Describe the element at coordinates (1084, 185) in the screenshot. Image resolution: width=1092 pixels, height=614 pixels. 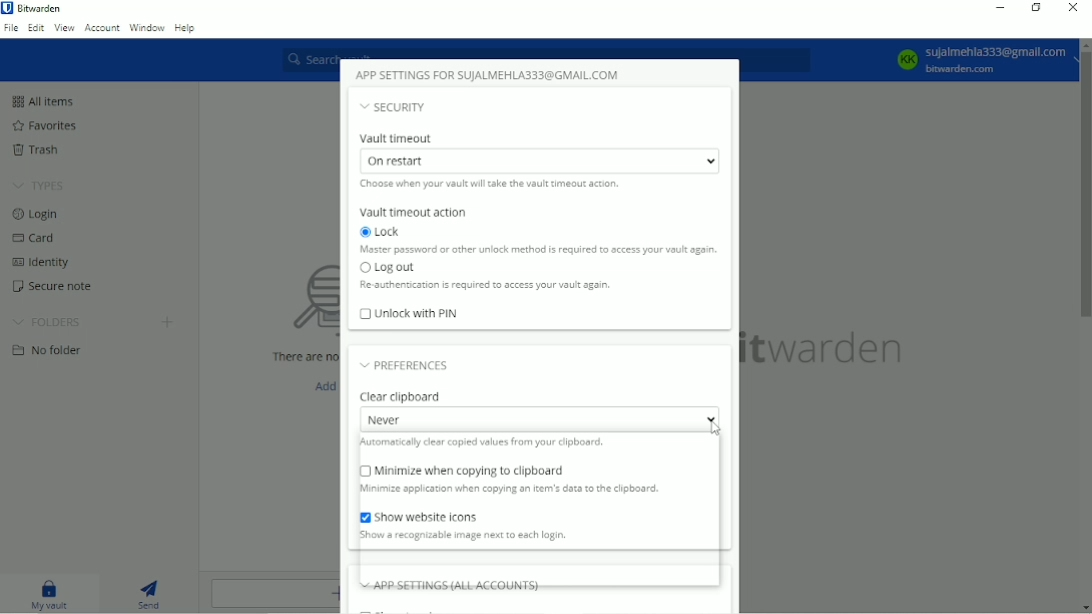
I see `Vertical scrollbar` at that location.